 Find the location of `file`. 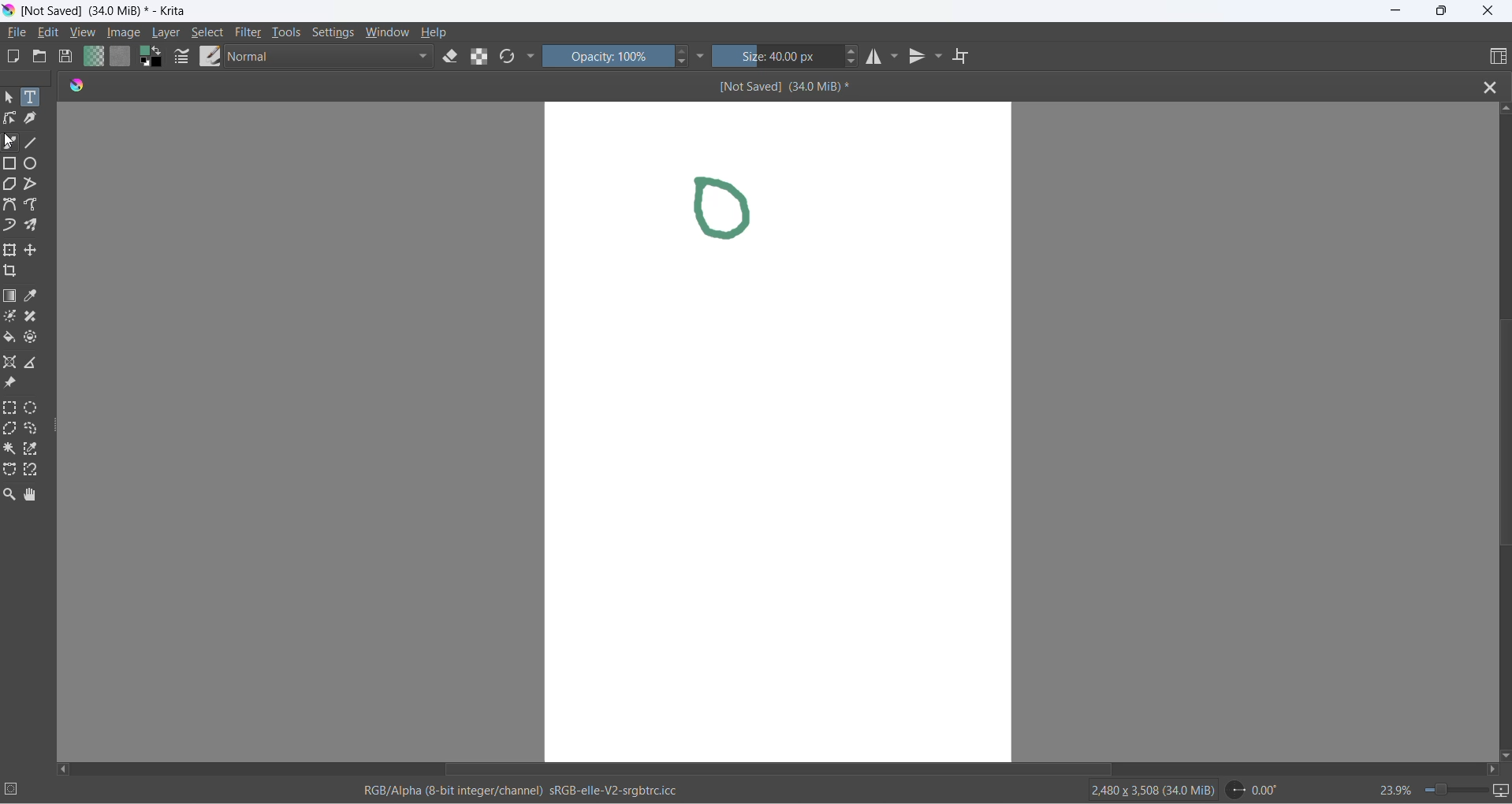

file is located at coordinates (22, 34).